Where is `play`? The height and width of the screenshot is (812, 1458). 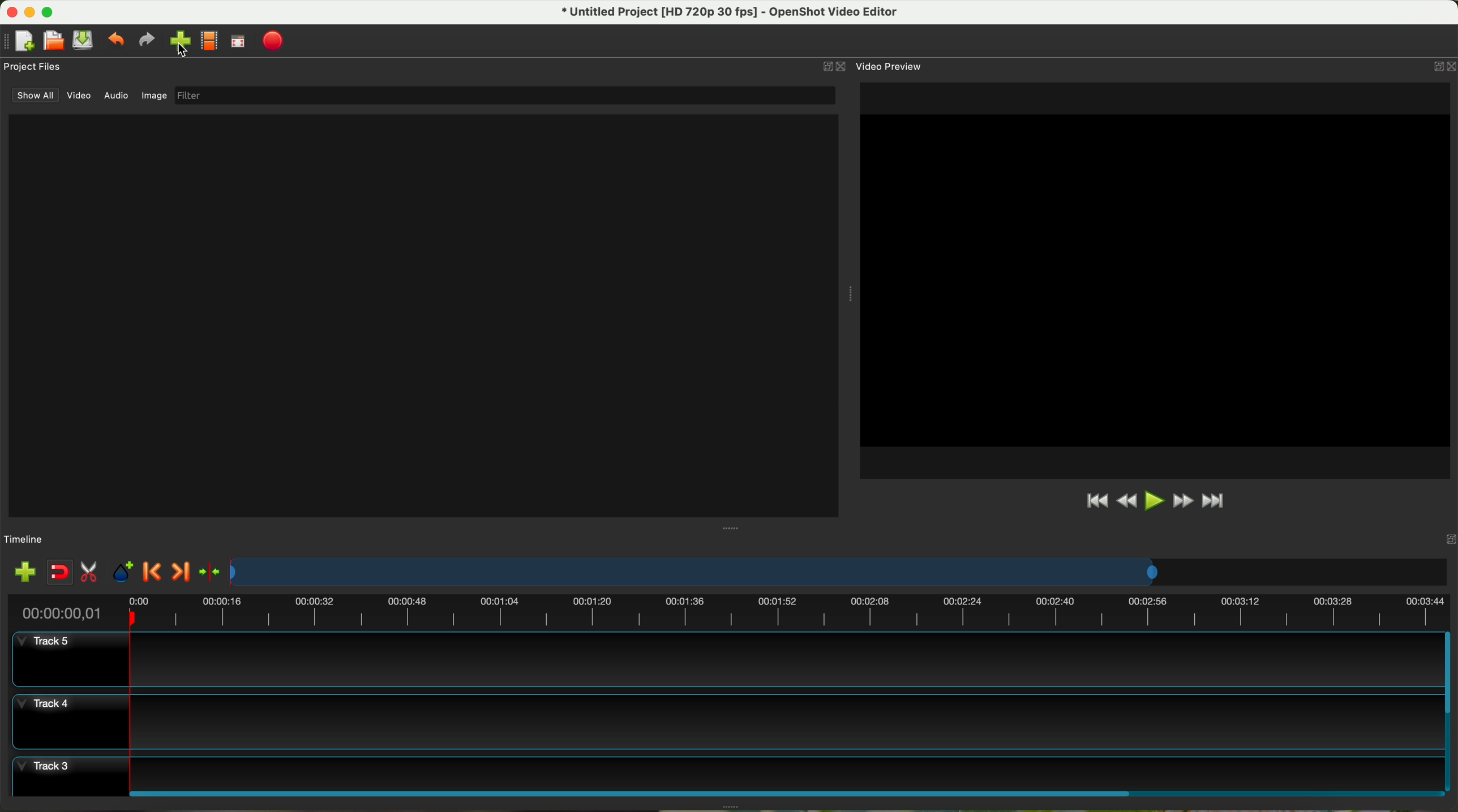 play is located at coordinates (1153, 500).